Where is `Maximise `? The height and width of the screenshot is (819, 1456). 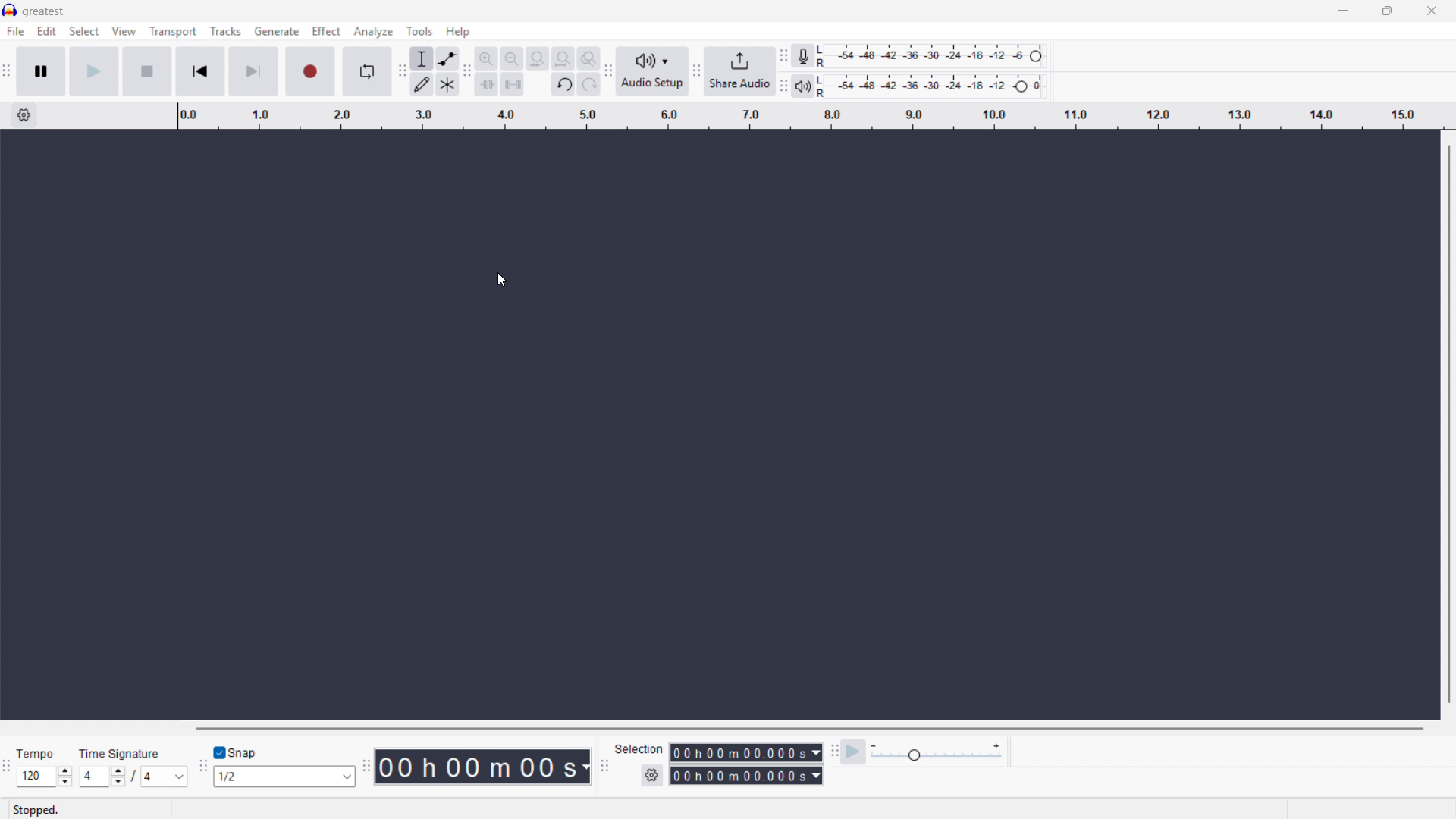
Maximise  is located at coordinates (1387, 11).